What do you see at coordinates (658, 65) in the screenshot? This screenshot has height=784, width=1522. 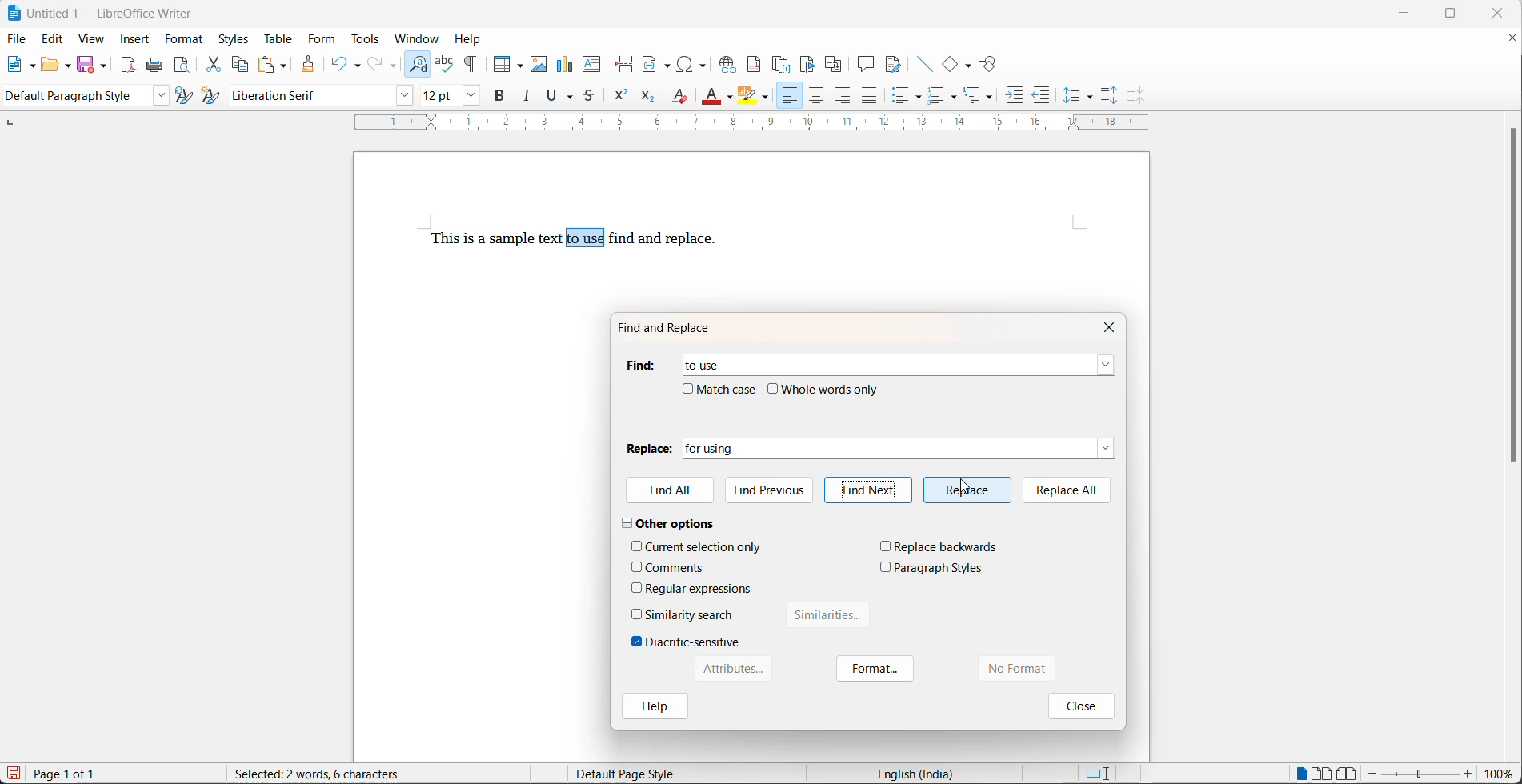 I see `insert field` at bounding box center [658, 65].